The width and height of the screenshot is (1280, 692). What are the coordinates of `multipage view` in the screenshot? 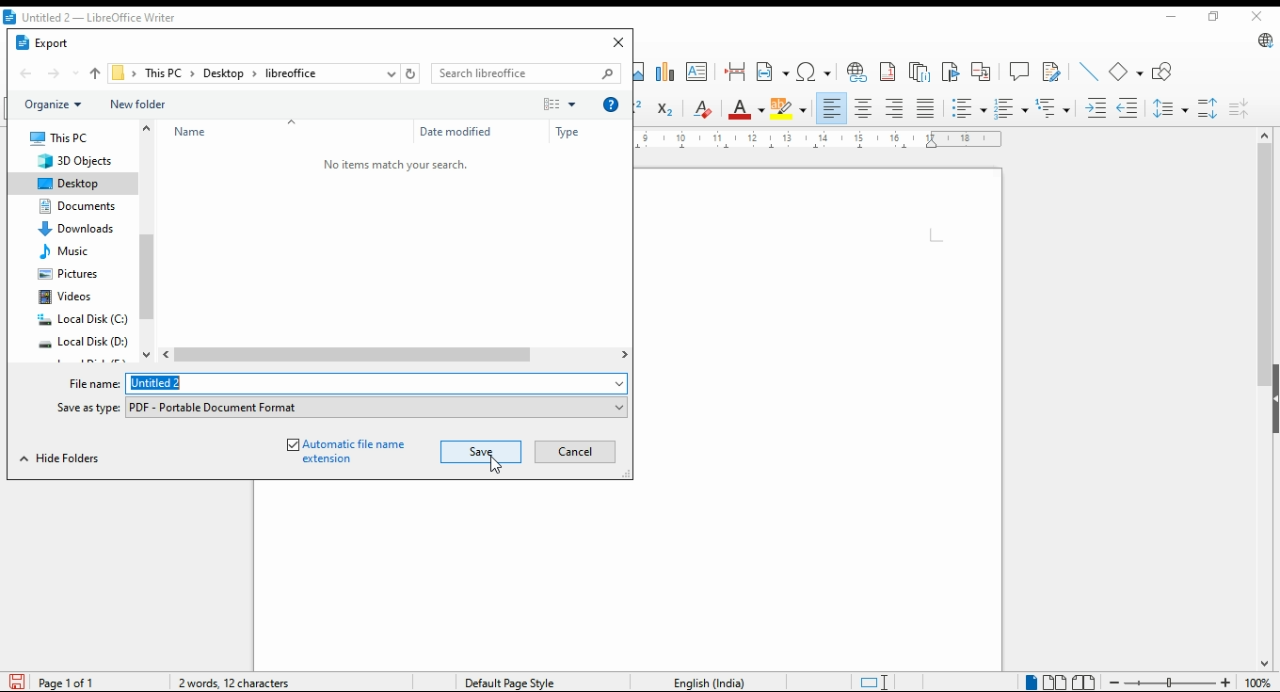 It's located at (1056, 682).